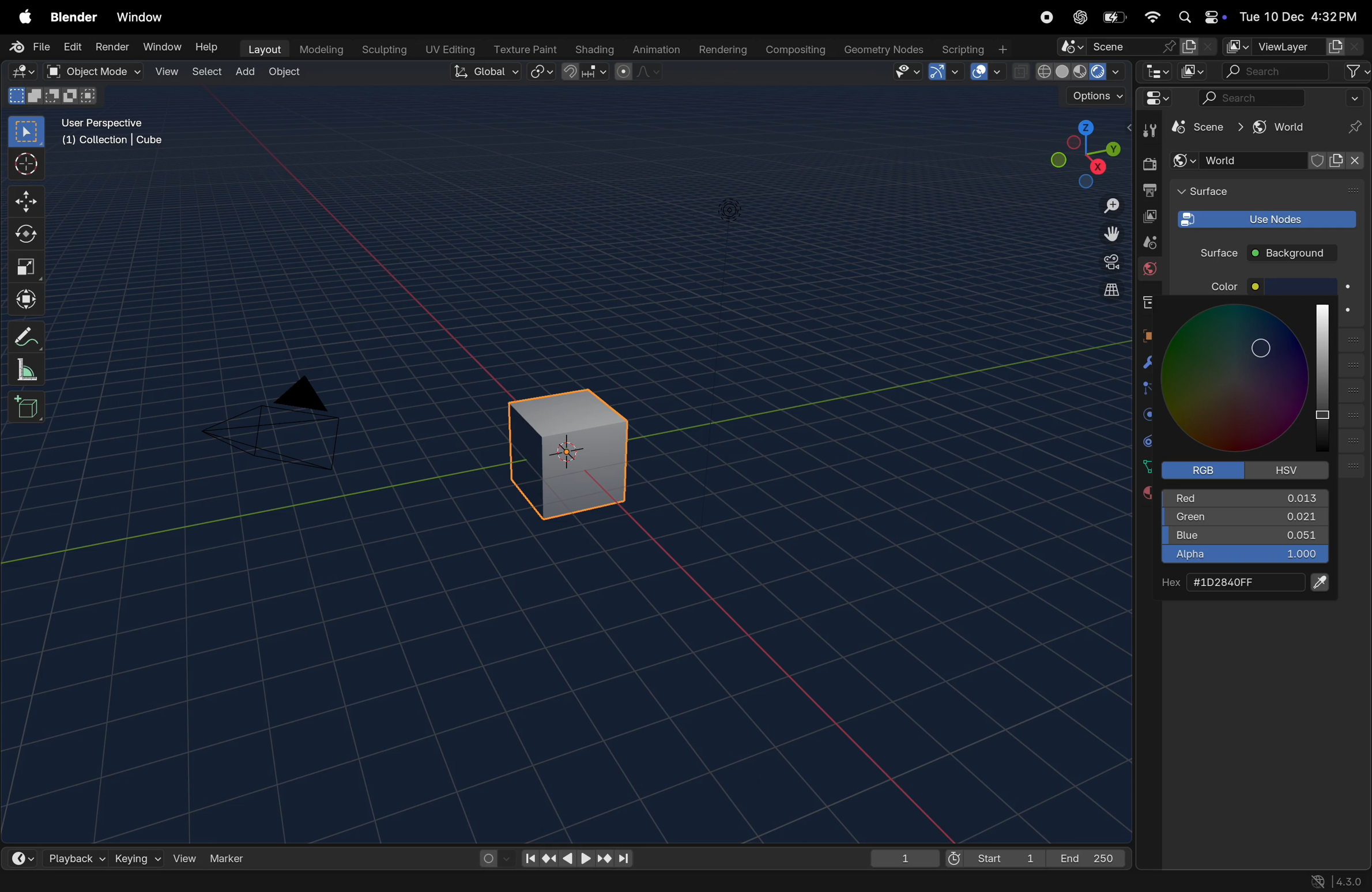  What do you see at coordinates (1148, 414) in the screenshot?
I see `physics` at bounding box center [1148, 414].